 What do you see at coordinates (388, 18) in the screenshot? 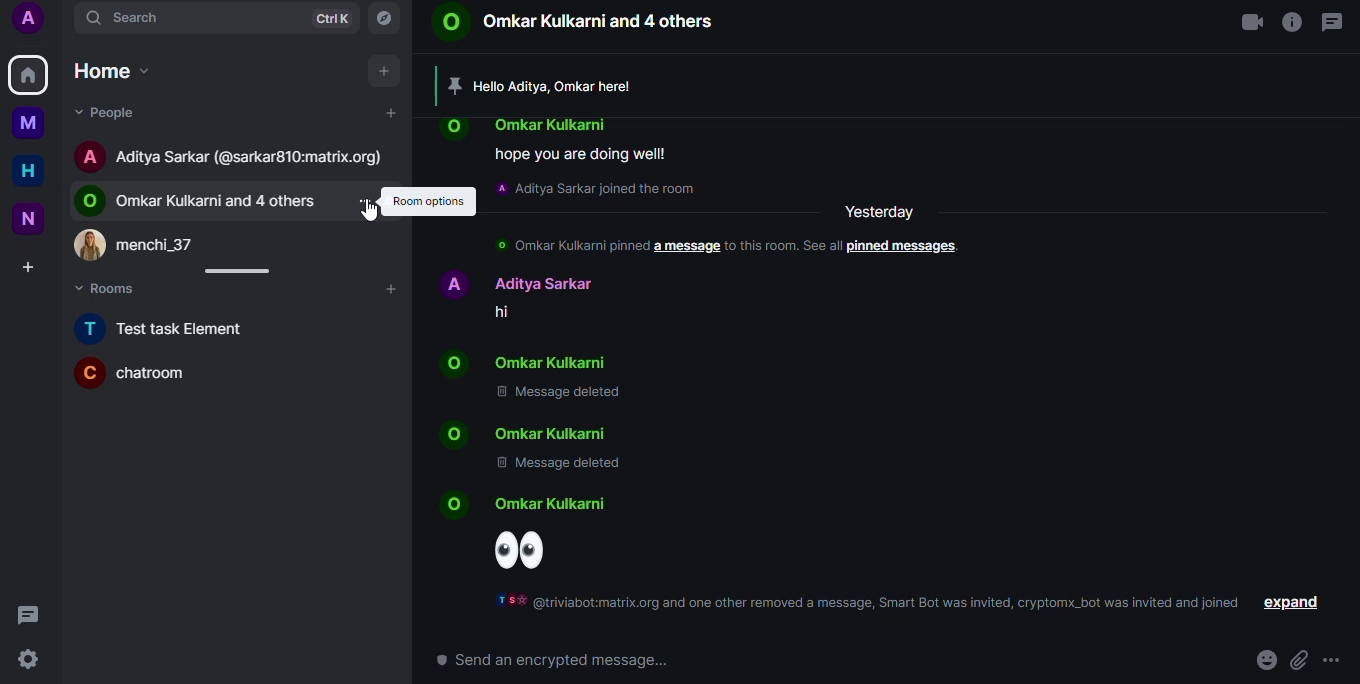
I see `navigator` at bounding box center [388, 18].